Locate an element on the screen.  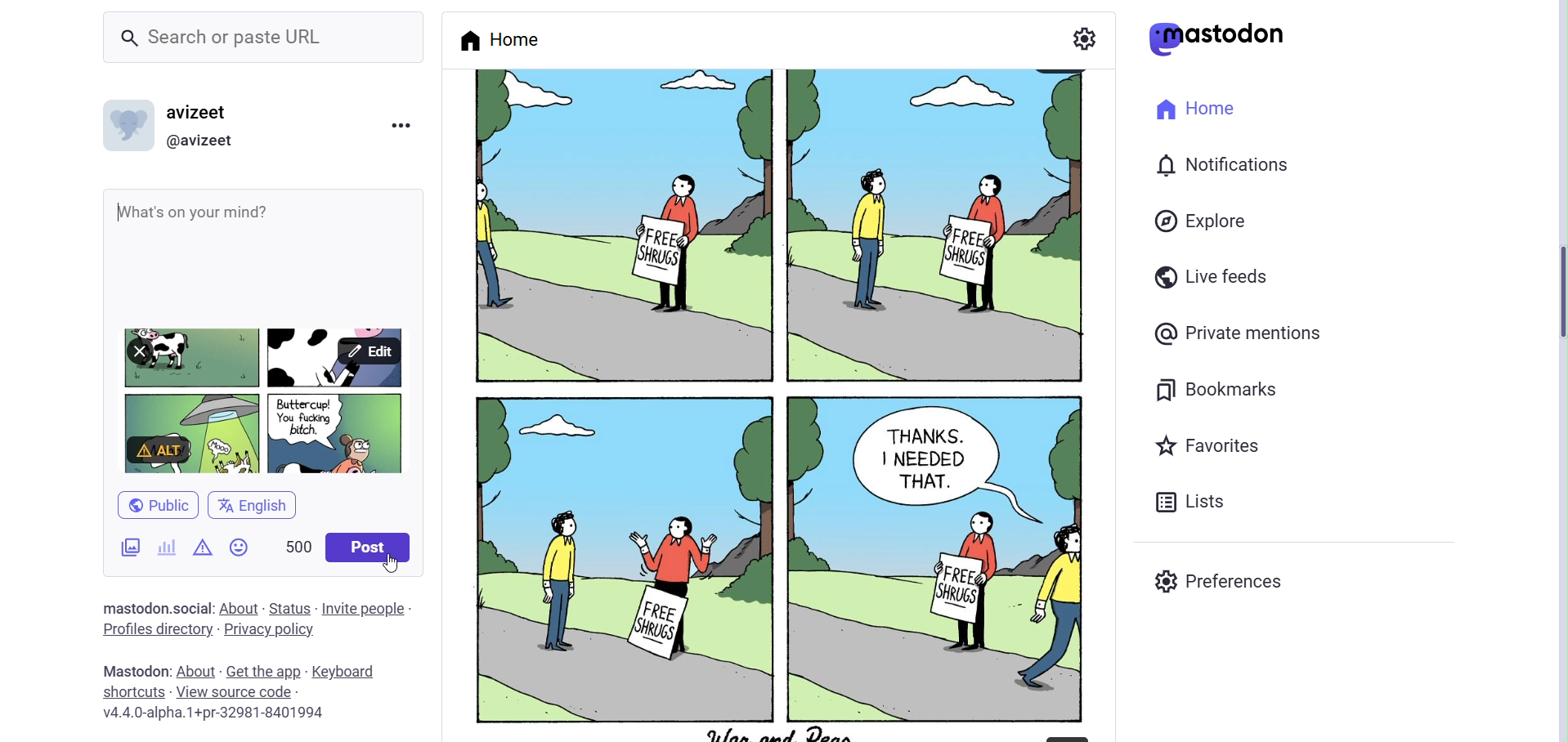
Version is located at coordinates (213, 714).